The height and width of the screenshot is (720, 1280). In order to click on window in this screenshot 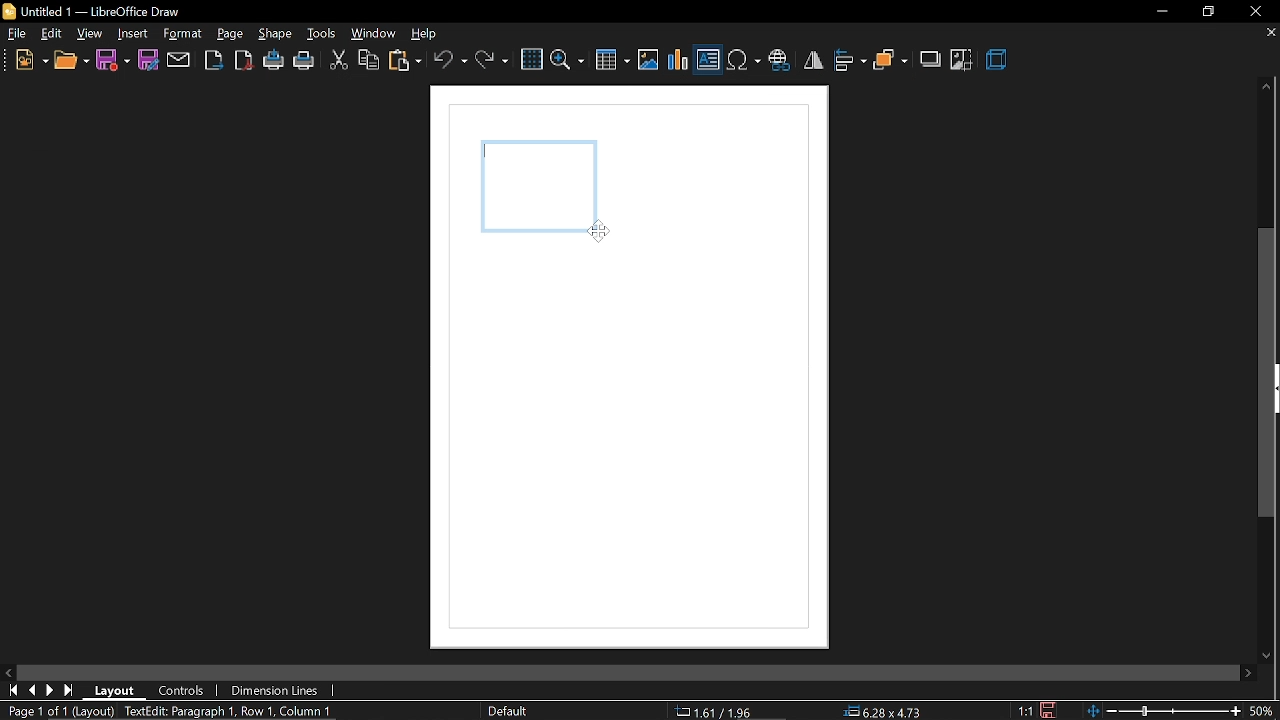, I will do `click(374, 34)`.